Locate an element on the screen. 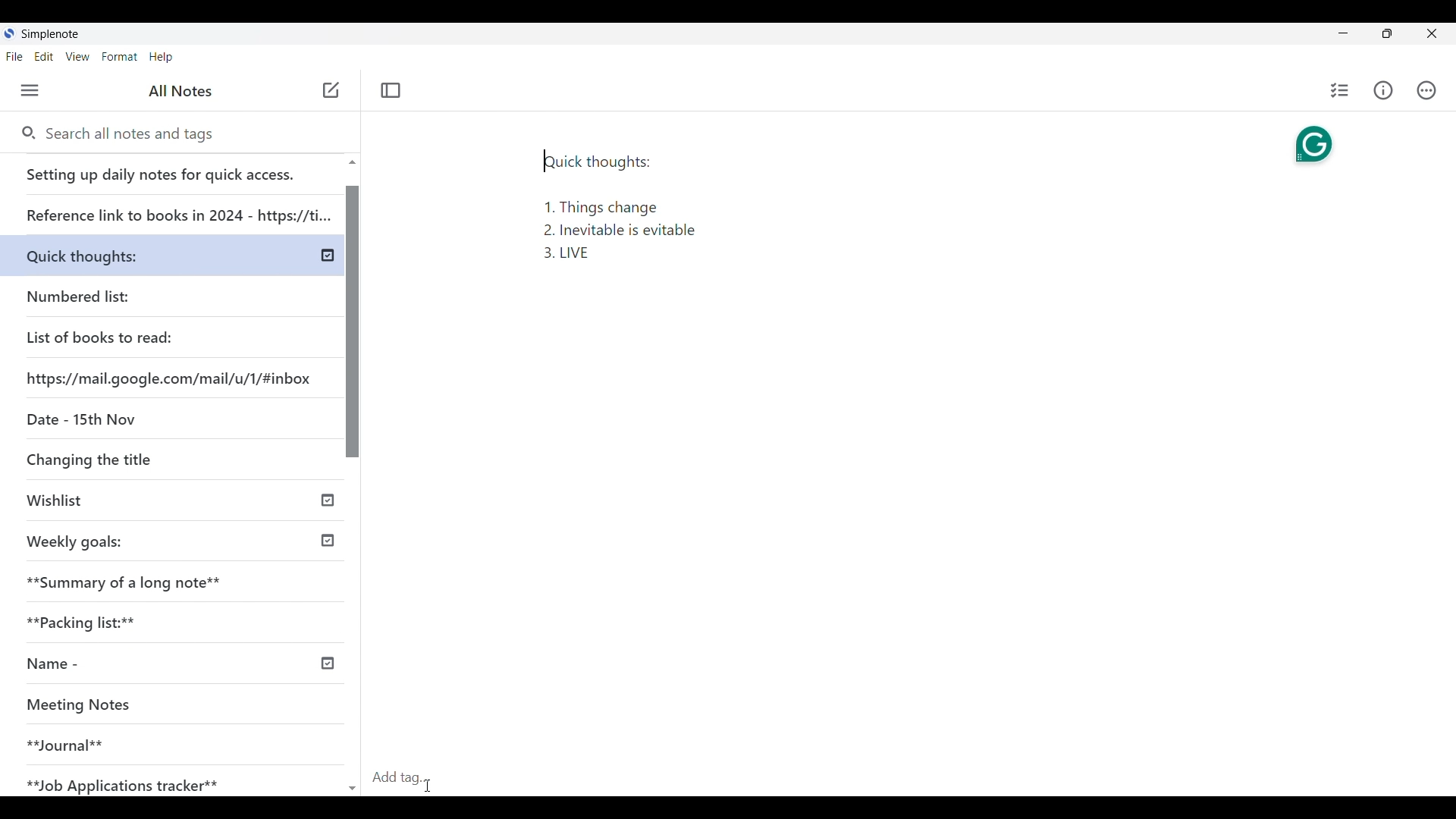  Quick thoughts is located at coordinates (124, 253).